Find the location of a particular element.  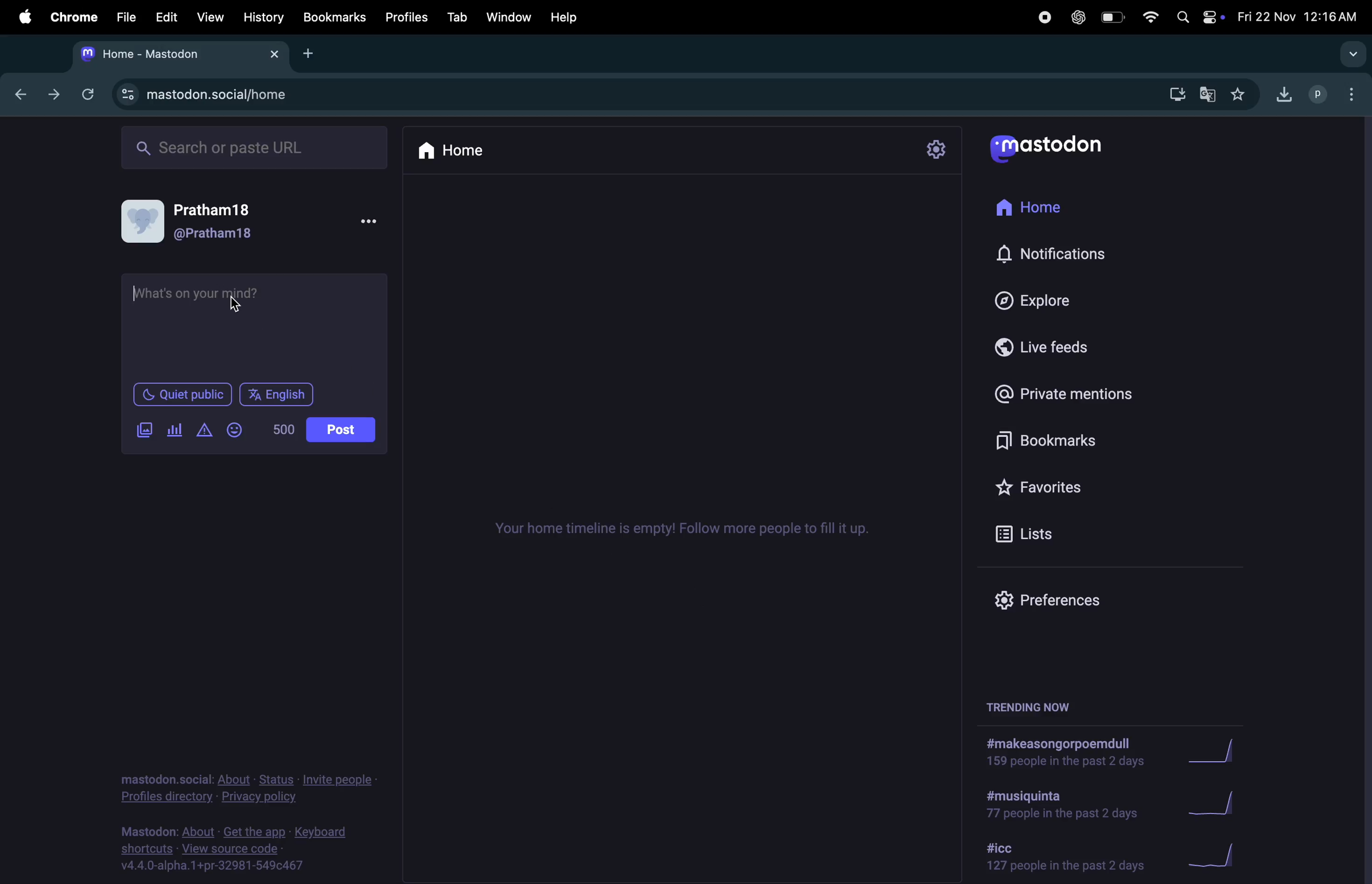

spotlight search is located at coordinates (1184, 19).